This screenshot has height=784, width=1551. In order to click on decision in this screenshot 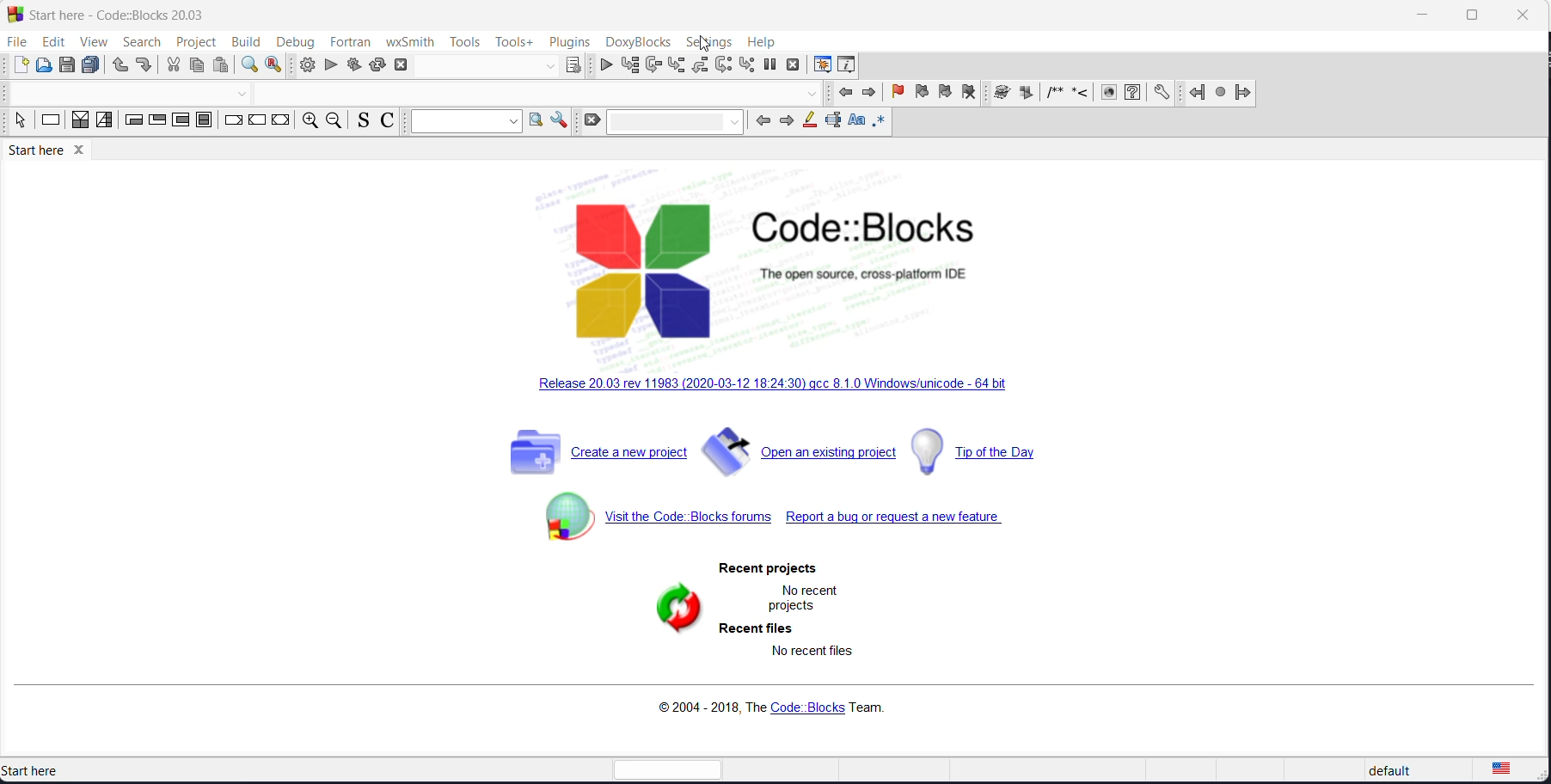, I will do `click(81, 124)`.